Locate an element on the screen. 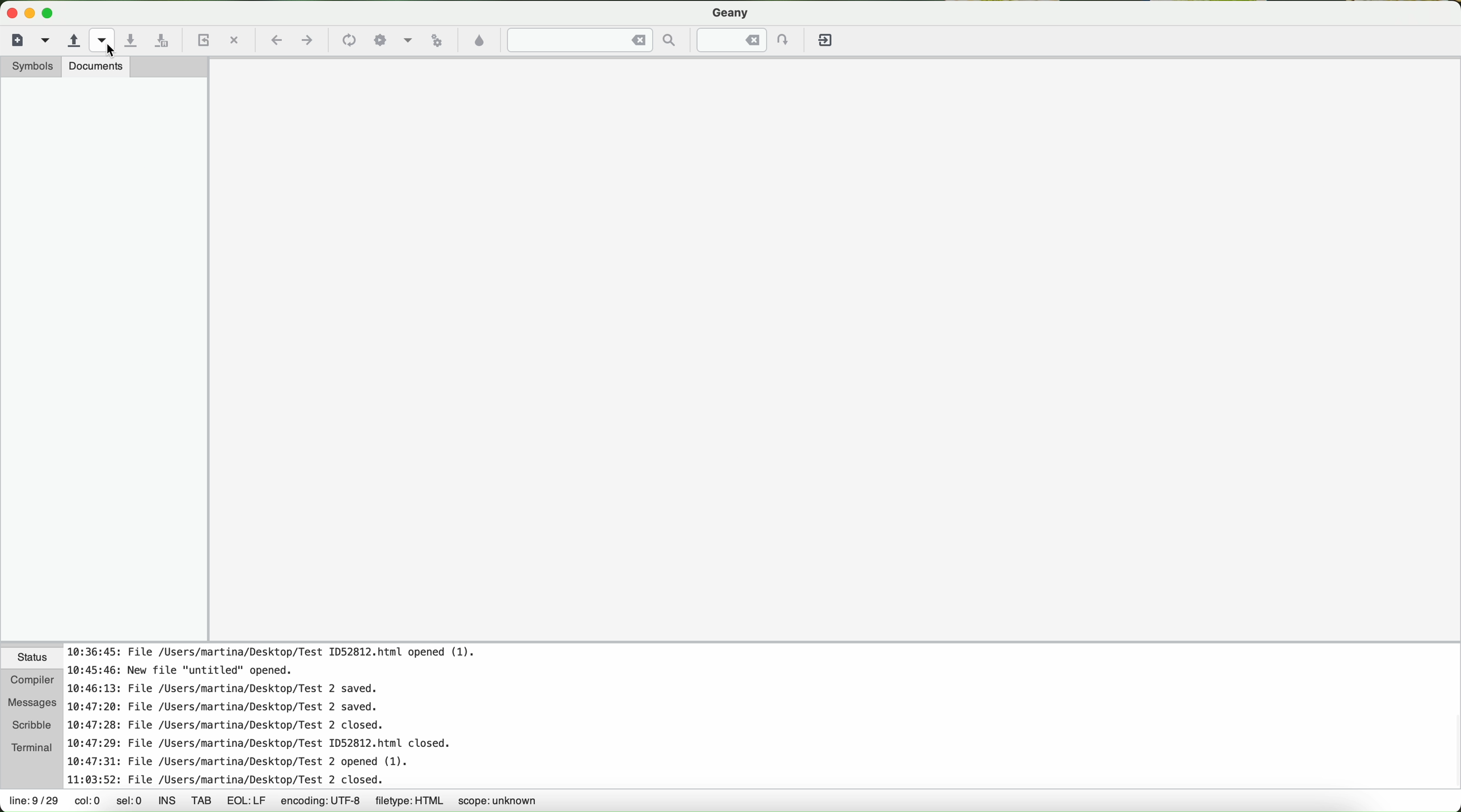  run or view the current file is located at coordinates (434, 40).